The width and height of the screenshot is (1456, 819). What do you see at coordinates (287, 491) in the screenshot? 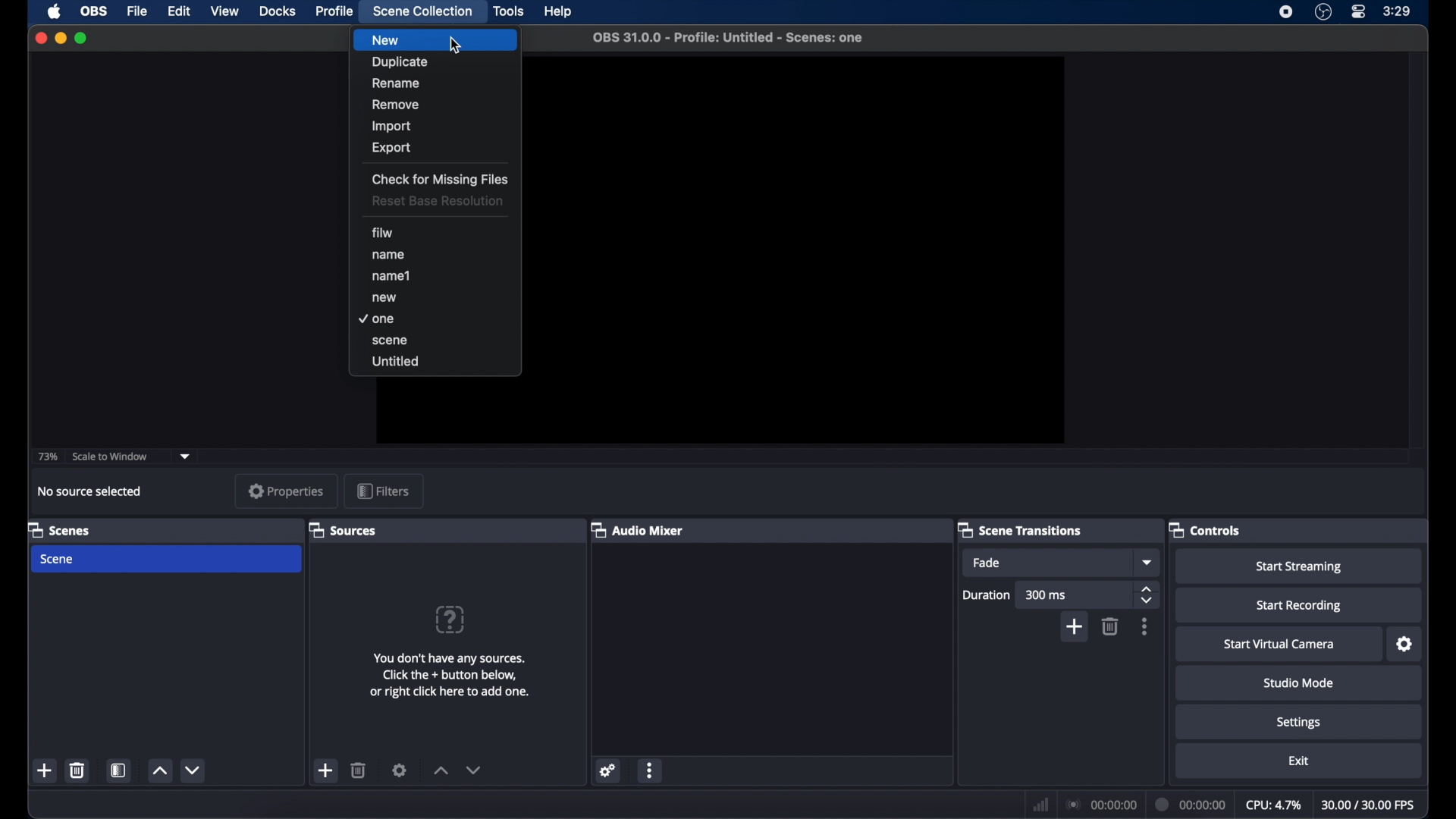
I see `properties` at bounding box center [287, 491].